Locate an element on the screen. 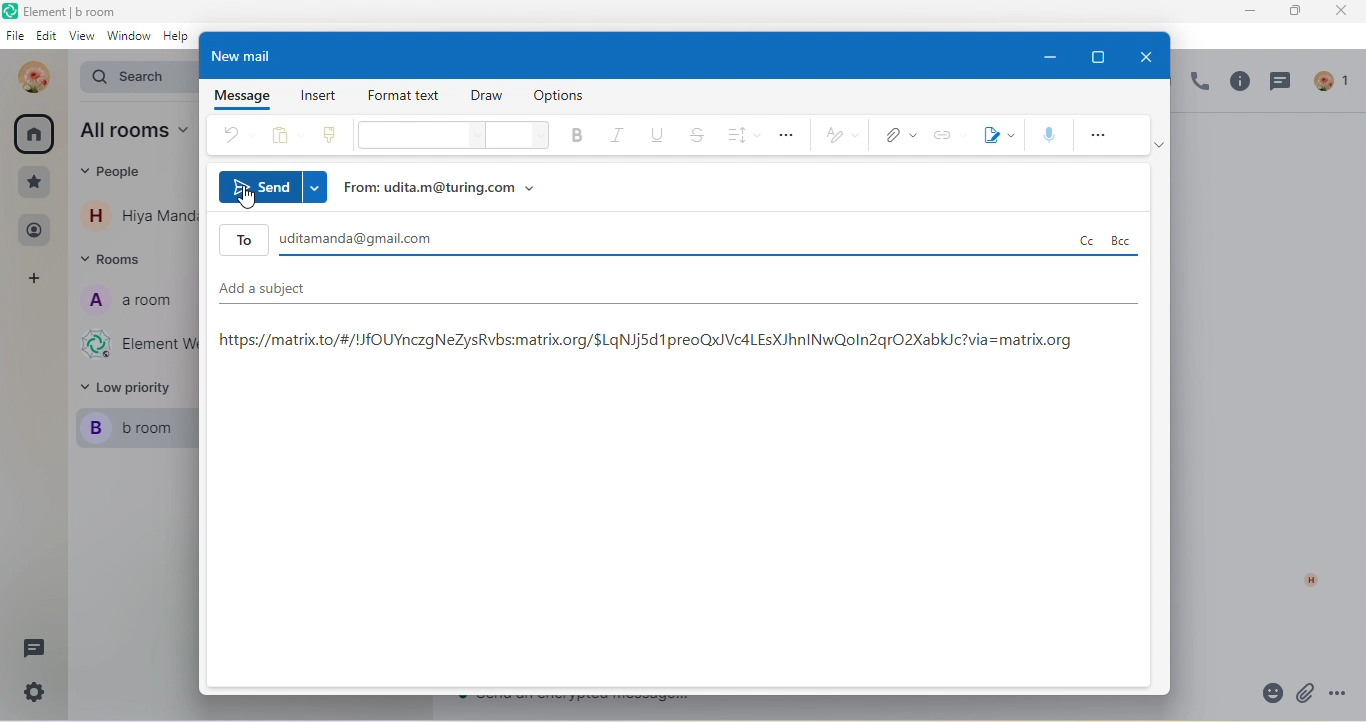 This screenshot has width=1366, height=722. to is located at coordinates (679, 239).